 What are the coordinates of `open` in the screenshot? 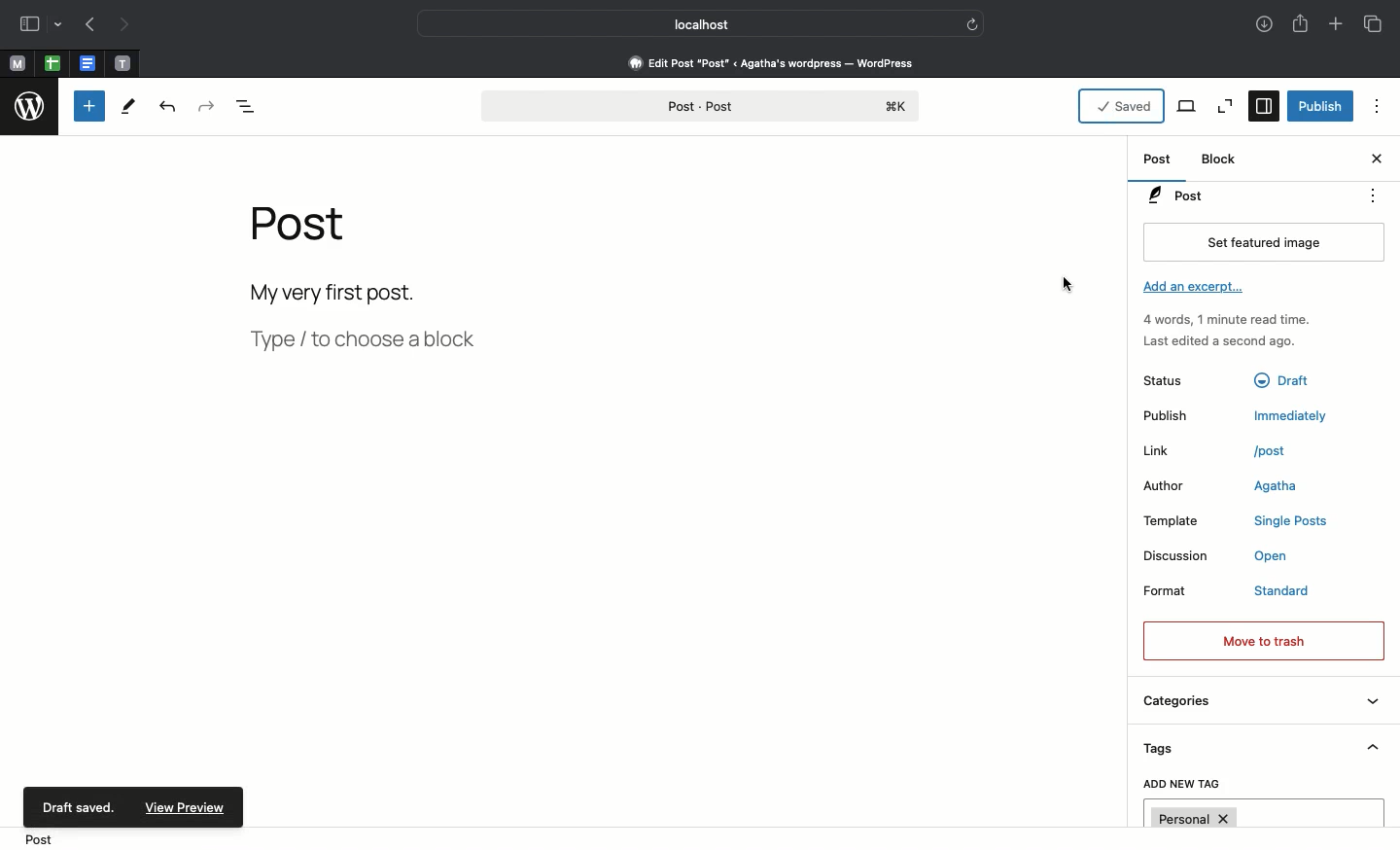 It's located at (1273, 557).